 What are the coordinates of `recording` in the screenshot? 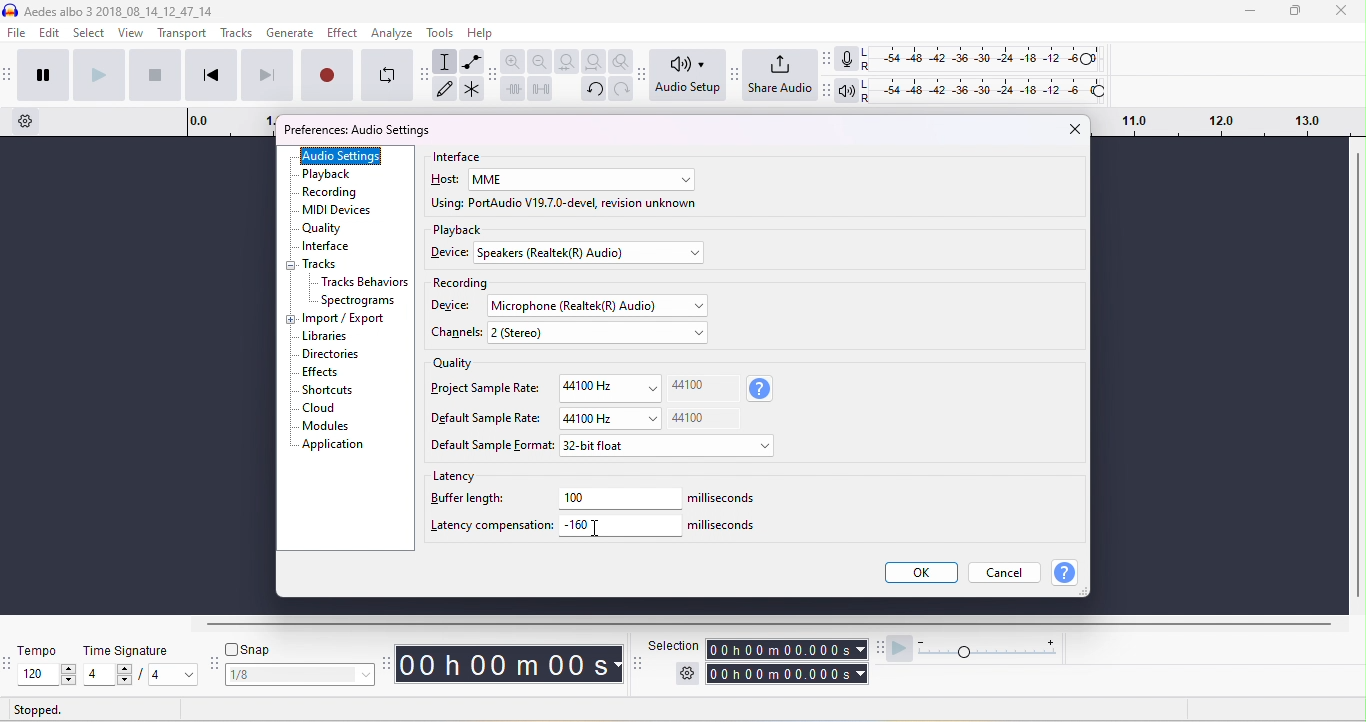 It's located at (459, 284).